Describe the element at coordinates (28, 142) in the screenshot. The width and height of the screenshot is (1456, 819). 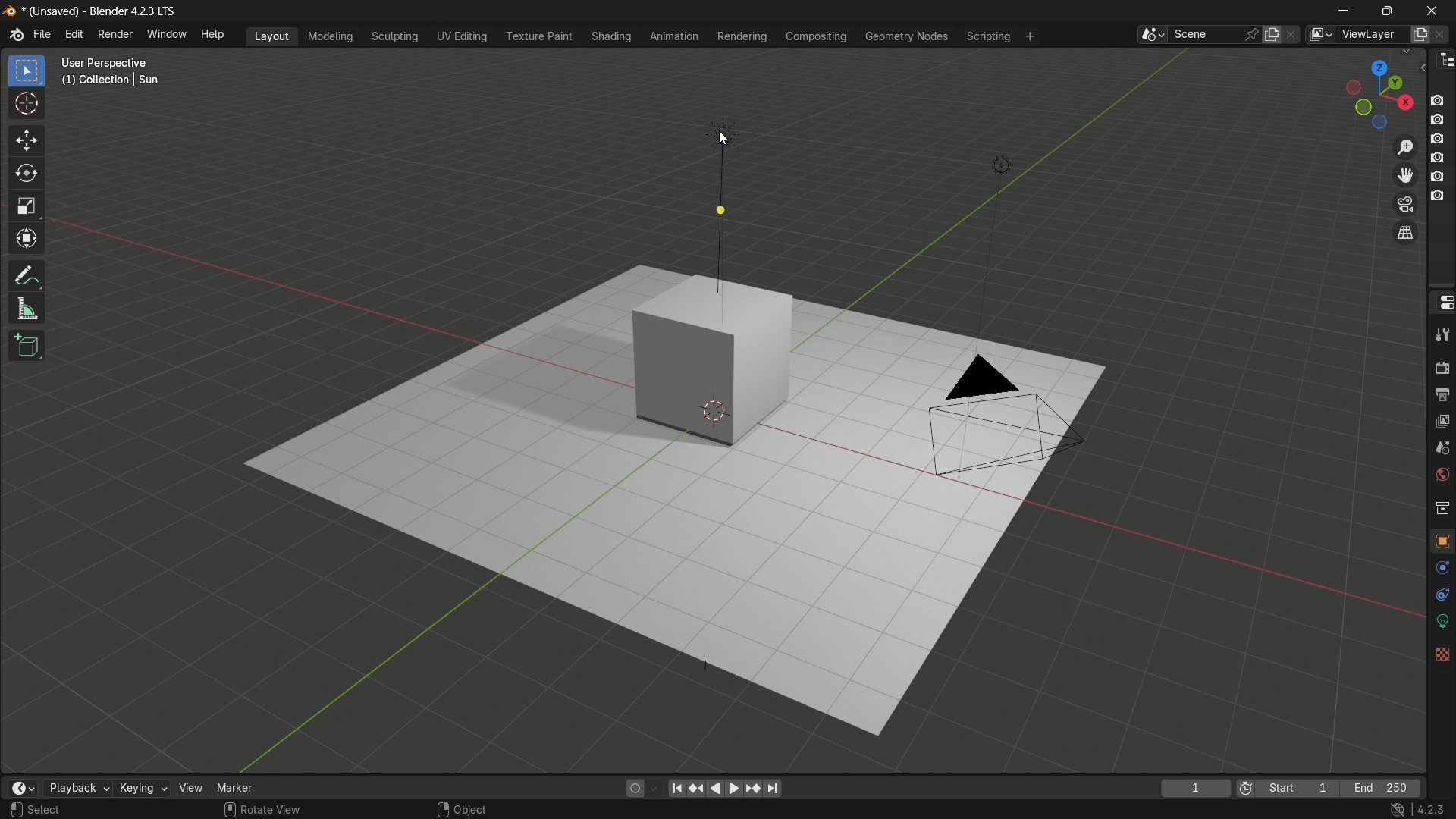
I see `move` at that location.